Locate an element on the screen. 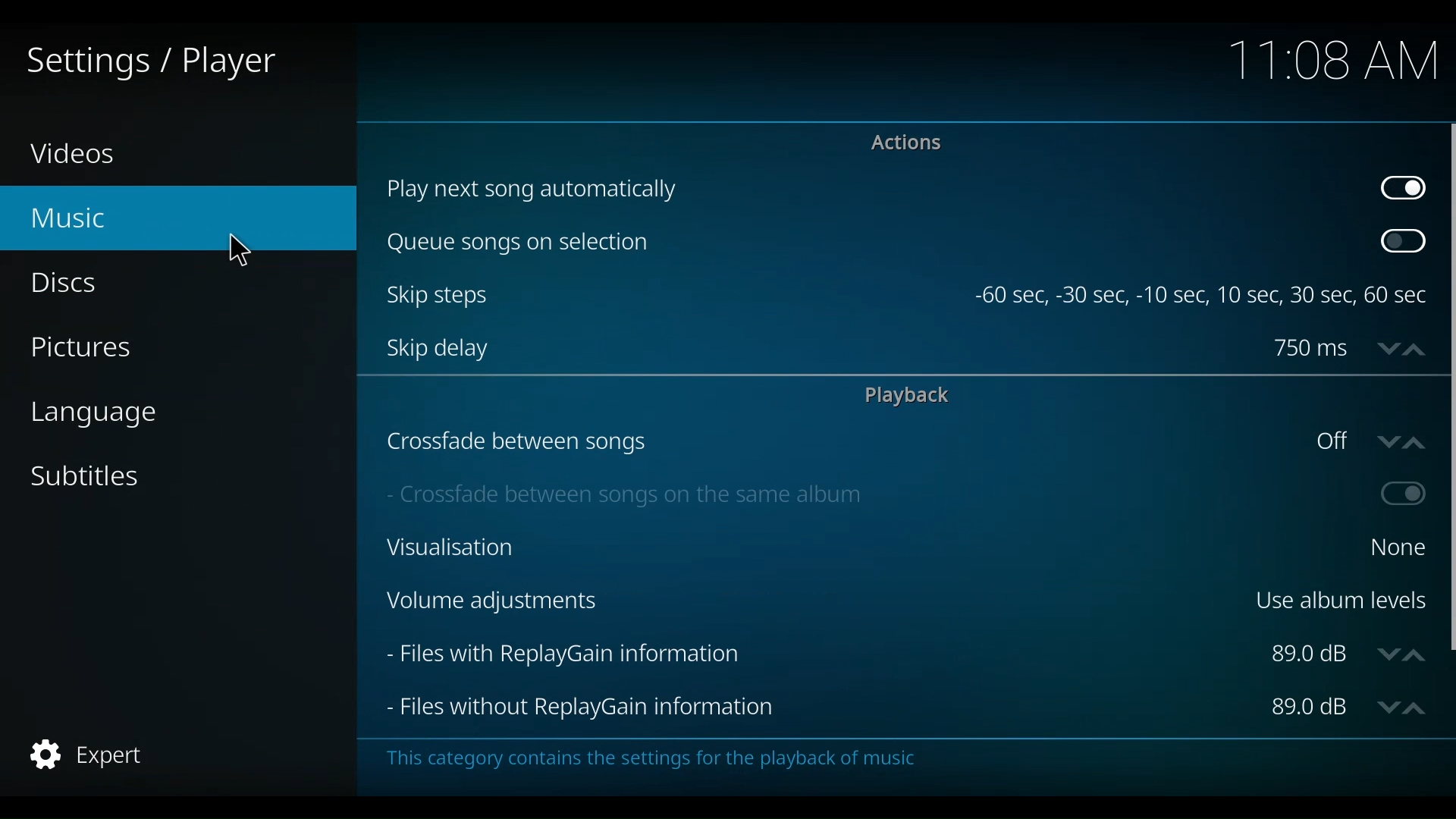 The width and height of the screenshot is (1456, 819). Crossfade between songs on/off is located at coordinates (1328, 441).